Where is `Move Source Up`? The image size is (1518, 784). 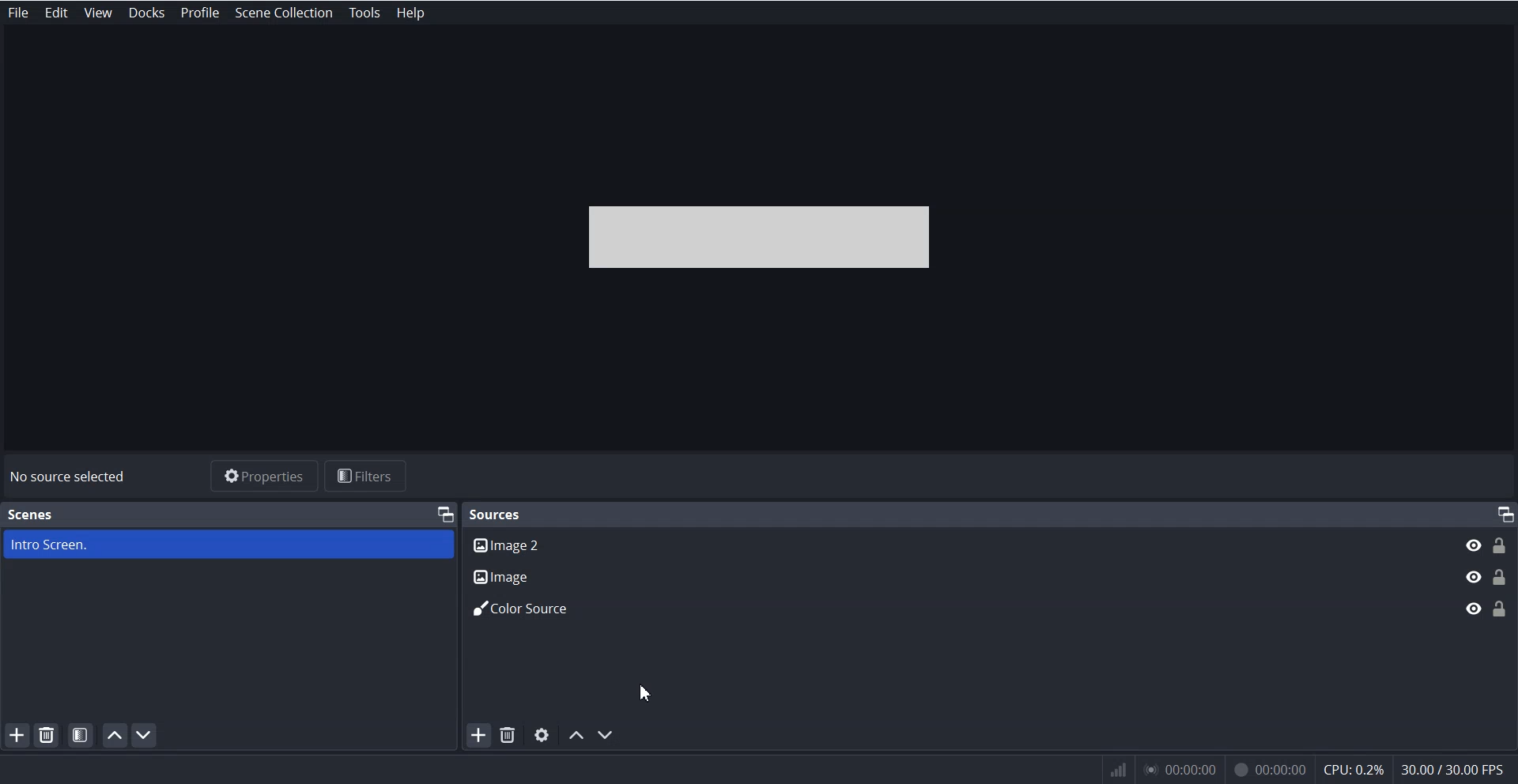 Move Source Up is located at coordinates (576, 735).